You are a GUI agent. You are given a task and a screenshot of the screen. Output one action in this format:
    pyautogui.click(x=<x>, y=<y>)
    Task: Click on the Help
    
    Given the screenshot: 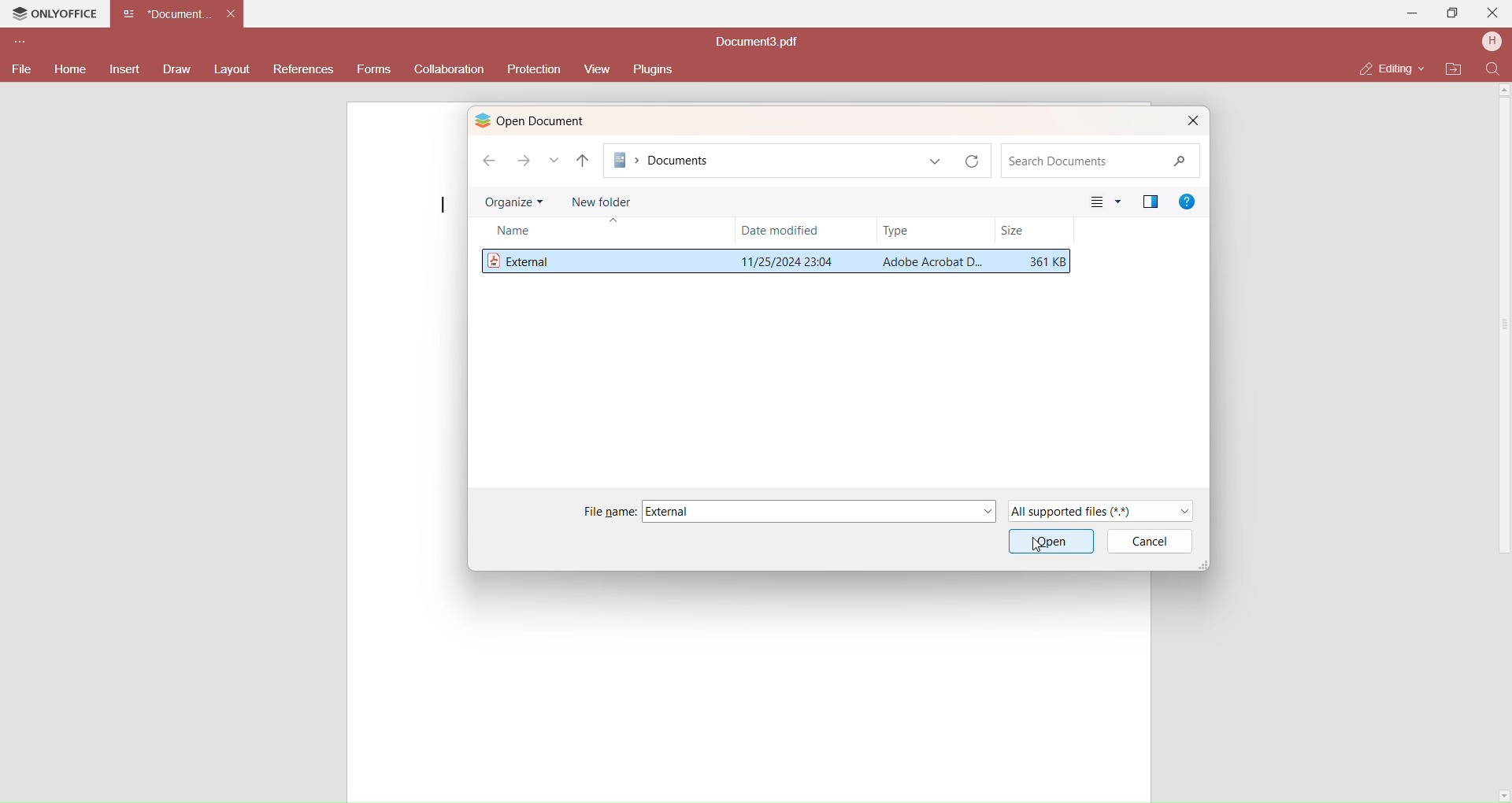 What is the action you would take?
    pyautogui.click(x=1189, y=200)
    